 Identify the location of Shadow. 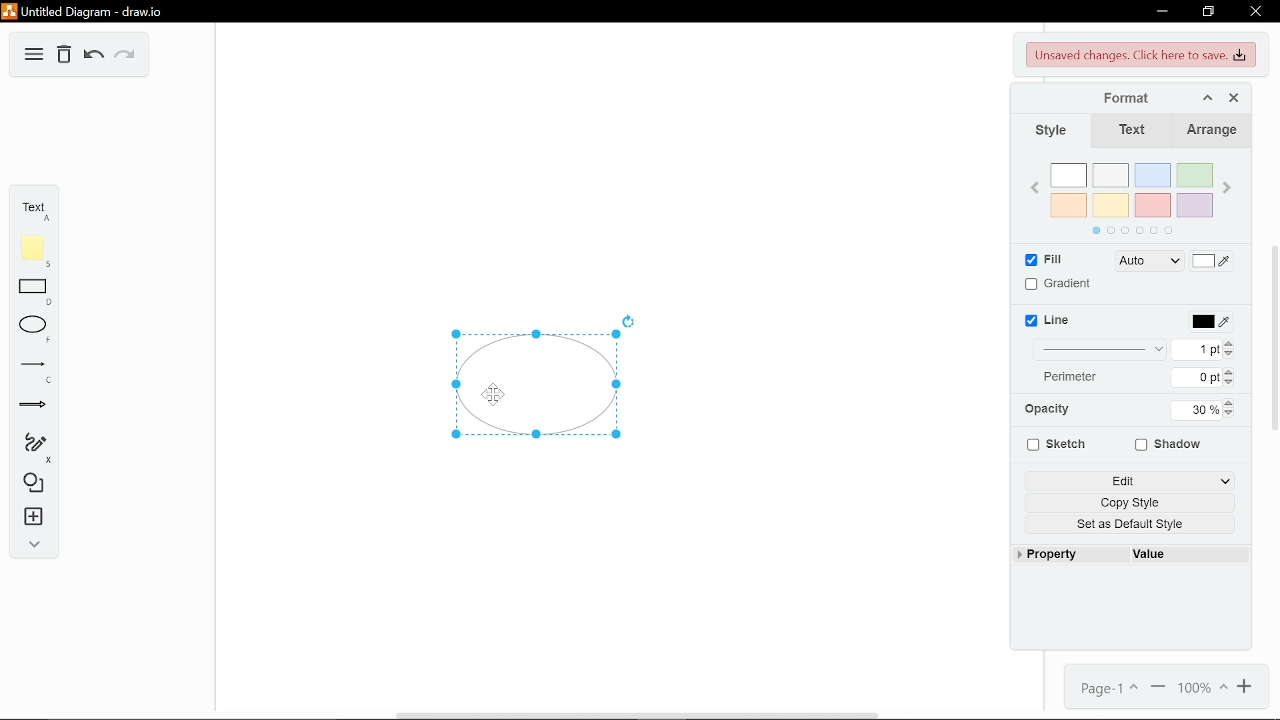
(1176, 445).